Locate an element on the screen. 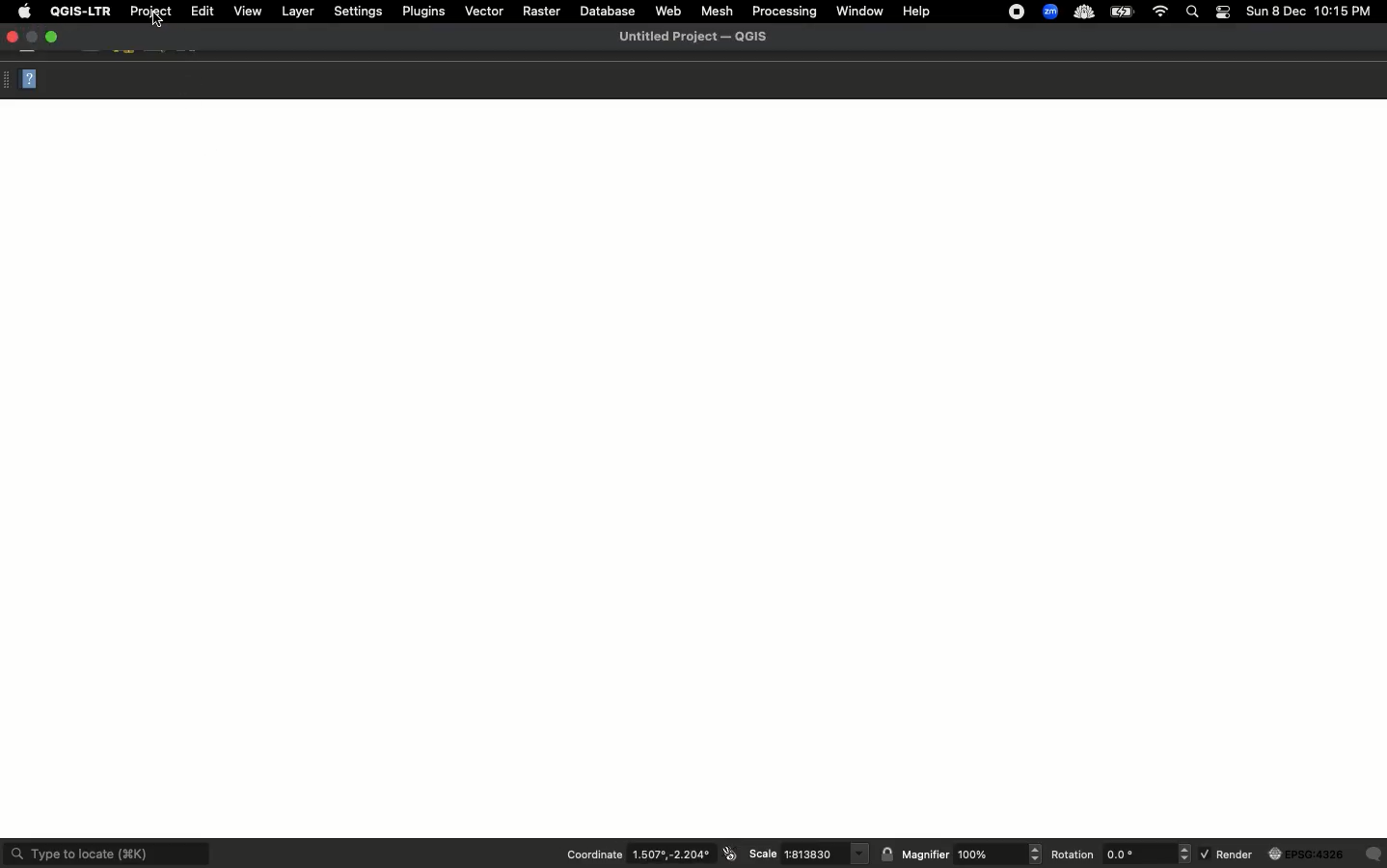 The height and width of the screenshot is (868, 1387). Magnifier is located at coordinates (927, 856).